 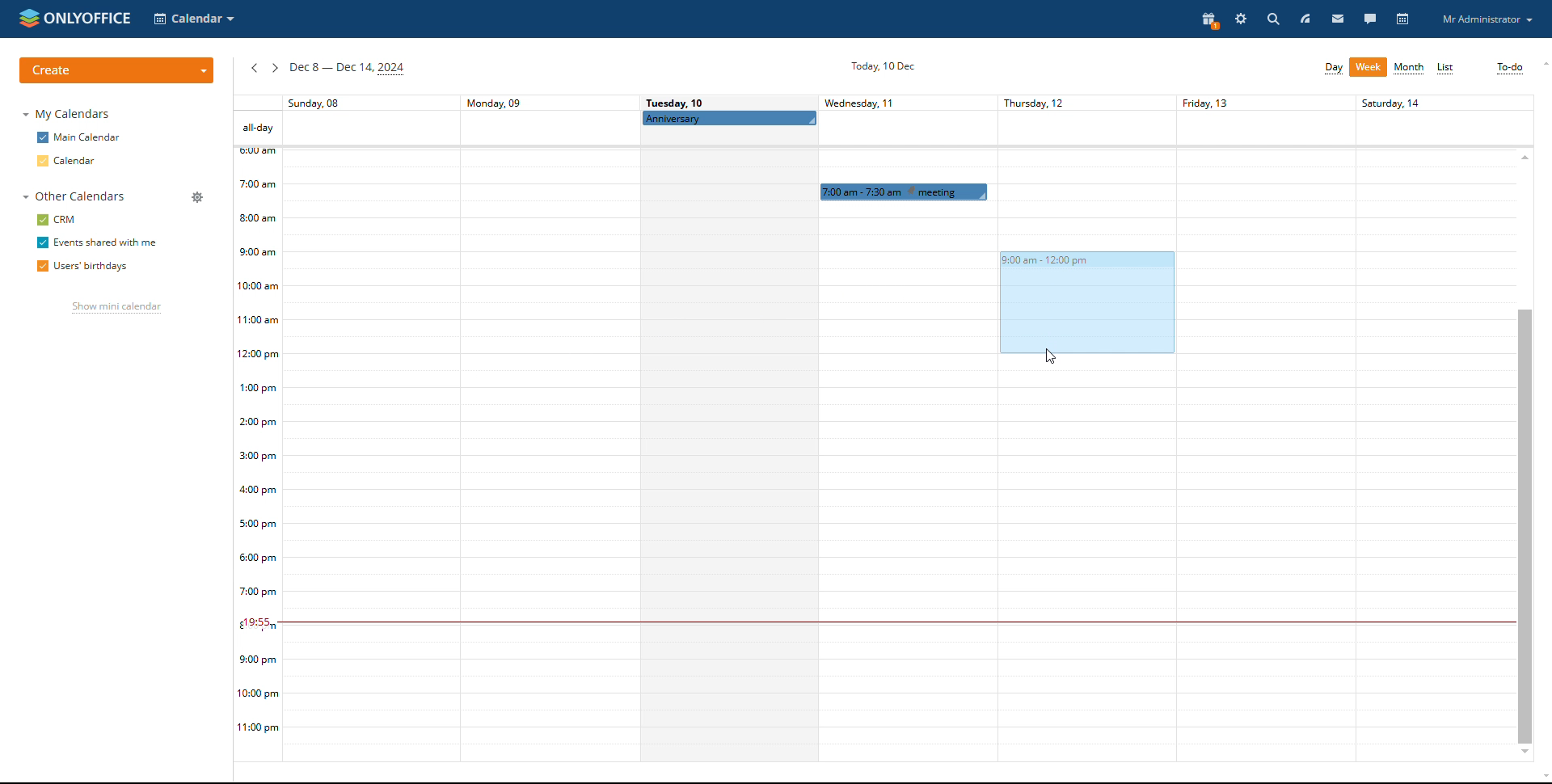 What do you see at coordinates (1434, 425) in the screenshot?
I see `` at bounding box center [1434, 425].